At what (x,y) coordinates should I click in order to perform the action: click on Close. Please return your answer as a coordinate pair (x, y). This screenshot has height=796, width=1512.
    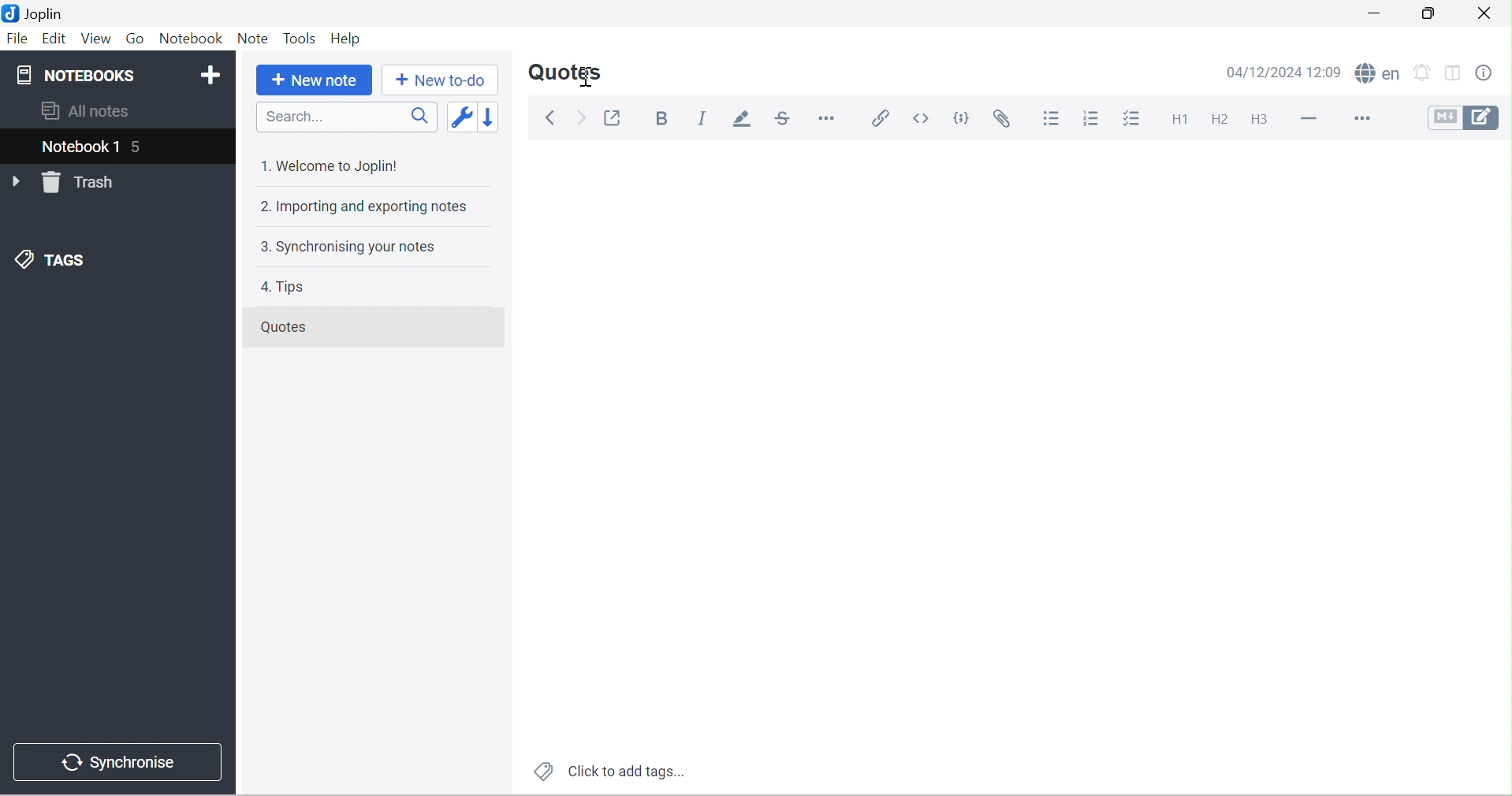
    Looking at the image, I should click on (1487, 15).